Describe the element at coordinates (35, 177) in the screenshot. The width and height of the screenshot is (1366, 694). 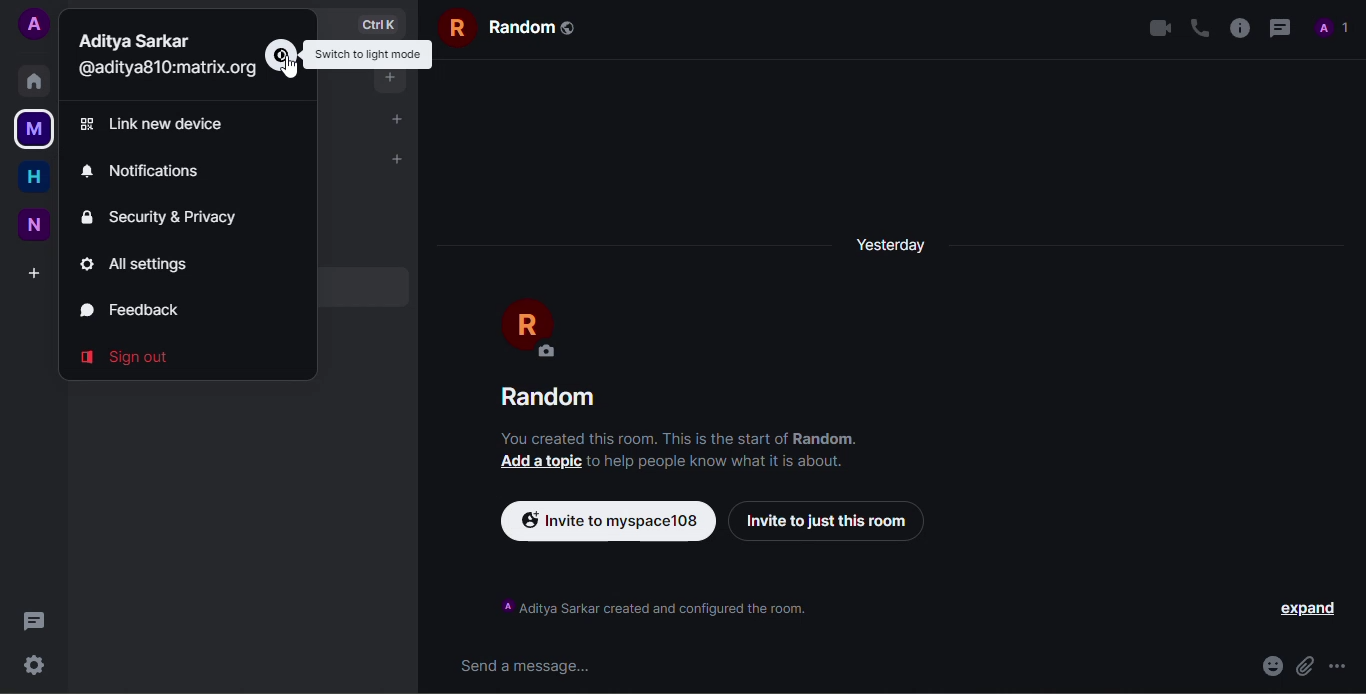
I see `home` at that location.